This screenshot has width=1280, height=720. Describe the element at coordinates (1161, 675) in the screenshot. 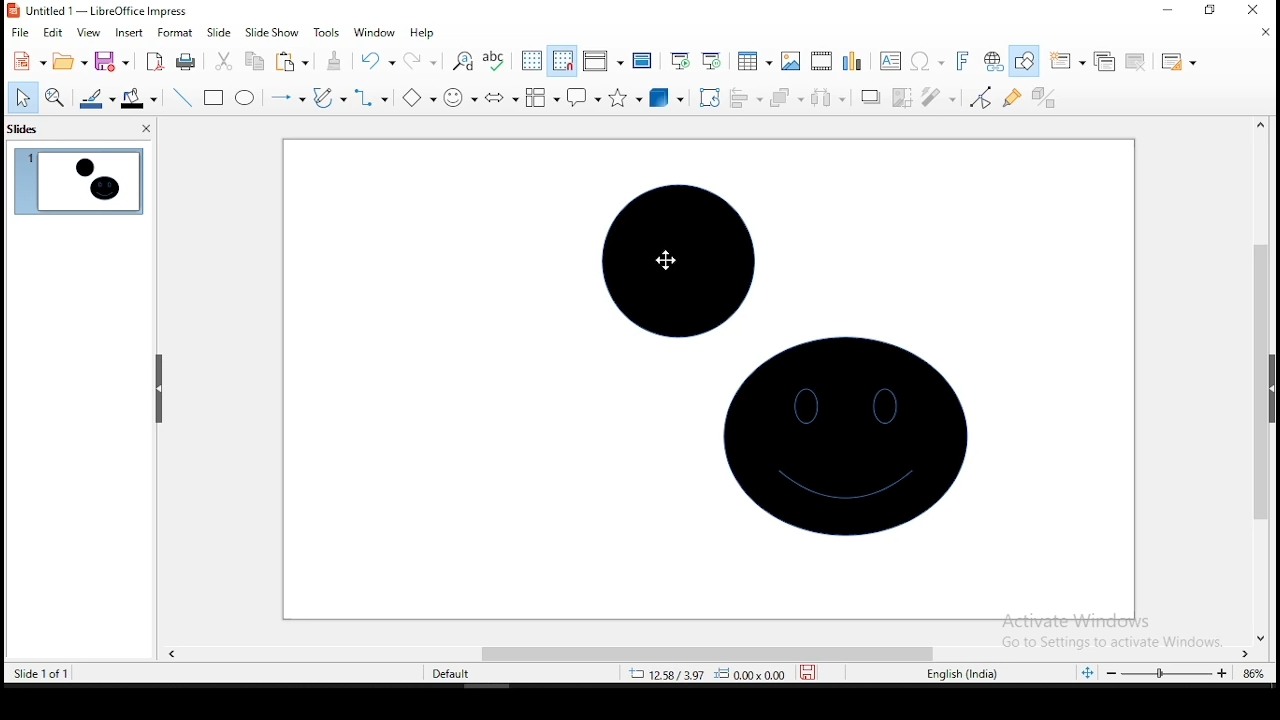

I see `zoom slider` at that location.